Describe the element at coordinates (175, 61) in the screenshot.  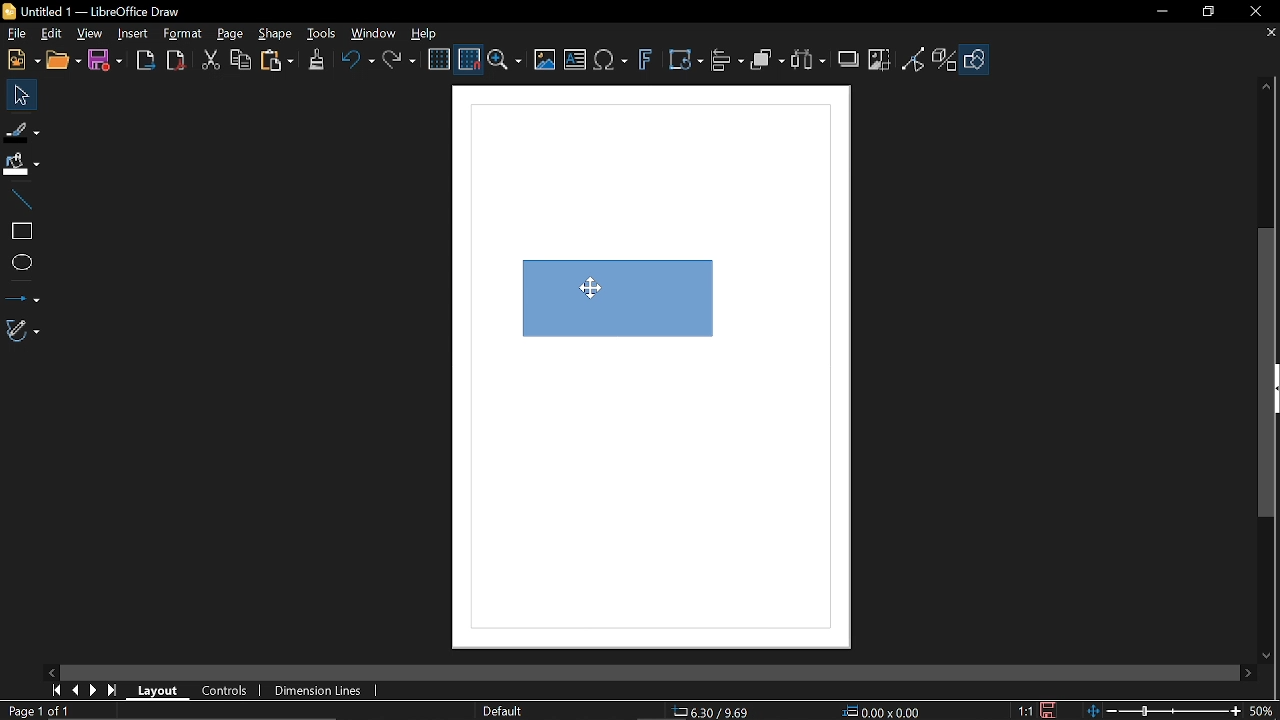
I see `Export as pdf` at that location.